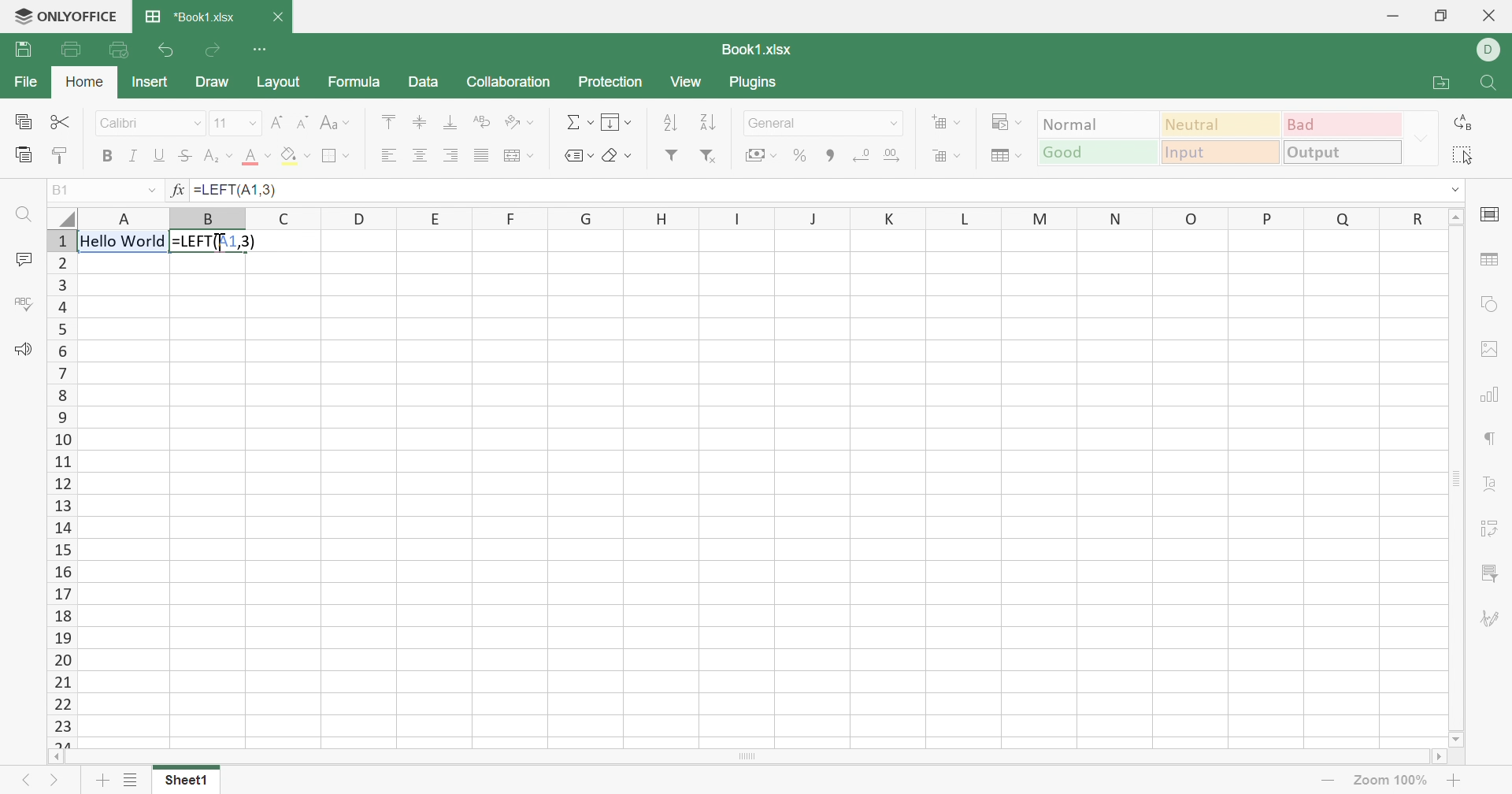 The height and width of the screenshot is (794, 1512). I want to click on Cell settings, so click(1492, 213).